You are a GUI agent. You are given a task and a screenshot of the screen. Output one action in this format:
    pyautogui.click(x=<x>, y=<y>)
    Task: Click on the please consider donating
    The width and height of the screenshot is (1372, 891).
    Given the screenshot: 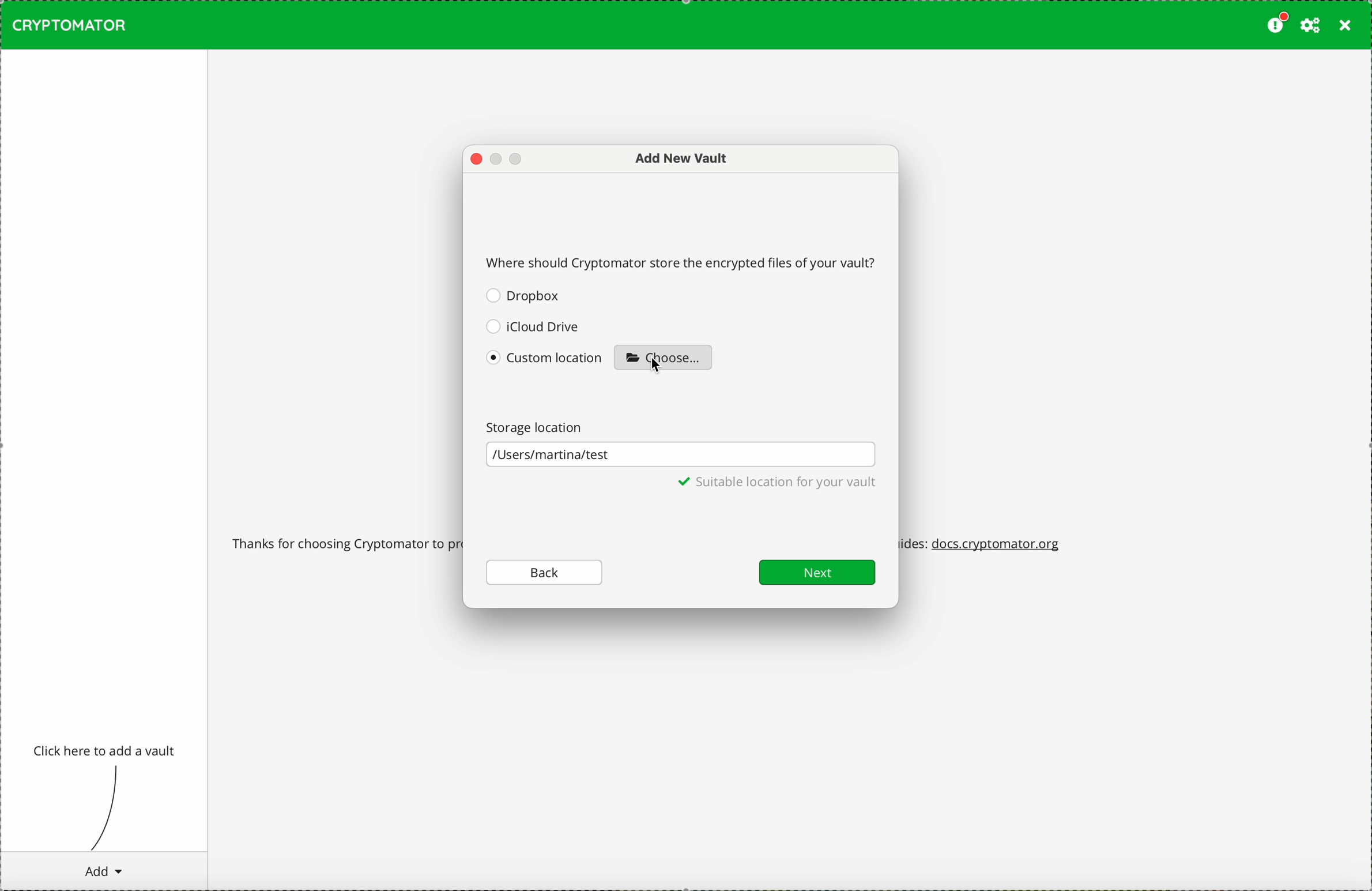 What is the action you would take?
    pyautogui.click(x=1276, y=24)
    